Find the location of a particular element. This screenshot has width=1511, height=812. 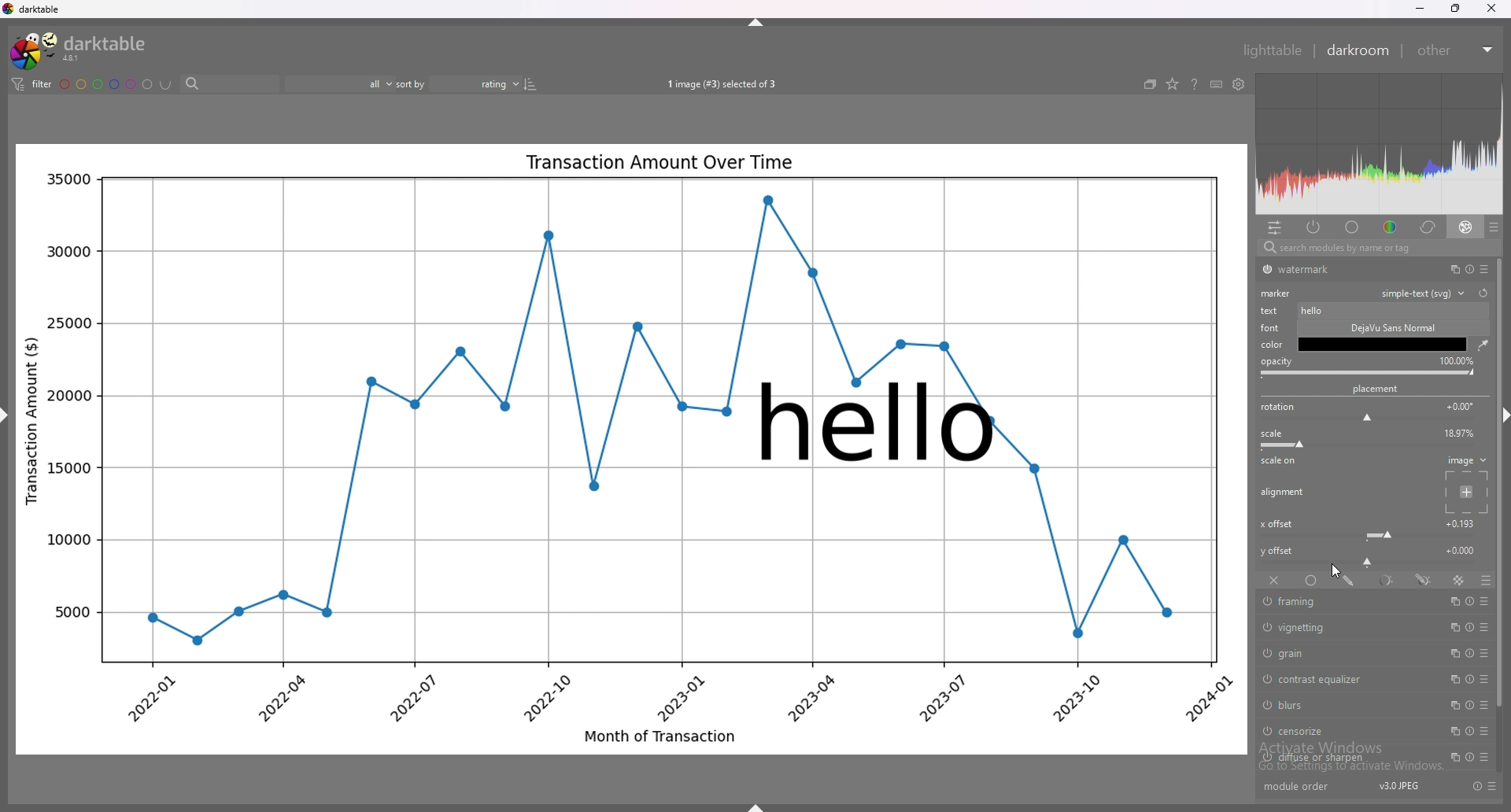

y offset is located at coordinates (1461, 549).